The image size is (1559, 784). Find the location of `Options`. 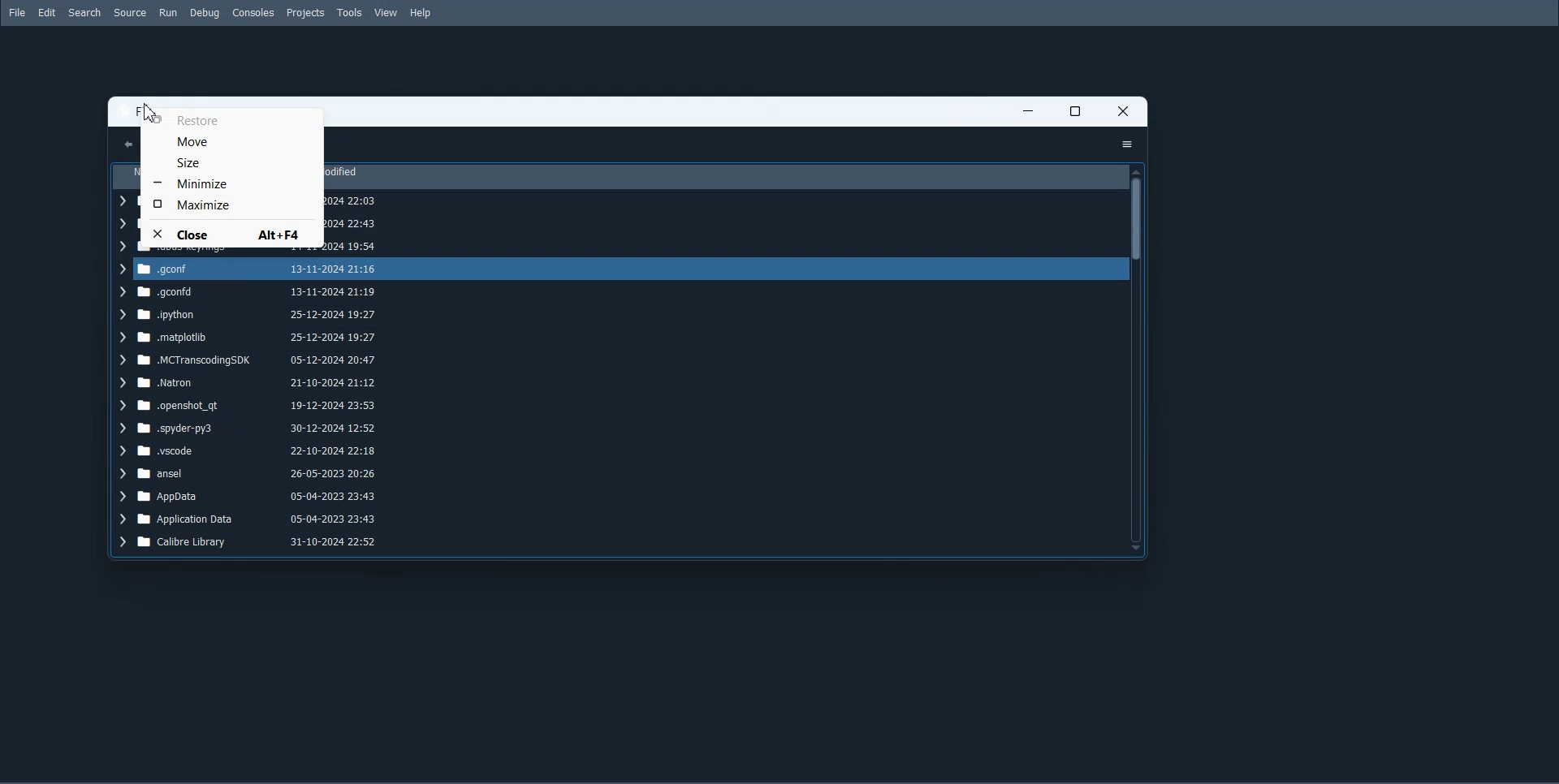

Options is located at coordinates (1128, 144).